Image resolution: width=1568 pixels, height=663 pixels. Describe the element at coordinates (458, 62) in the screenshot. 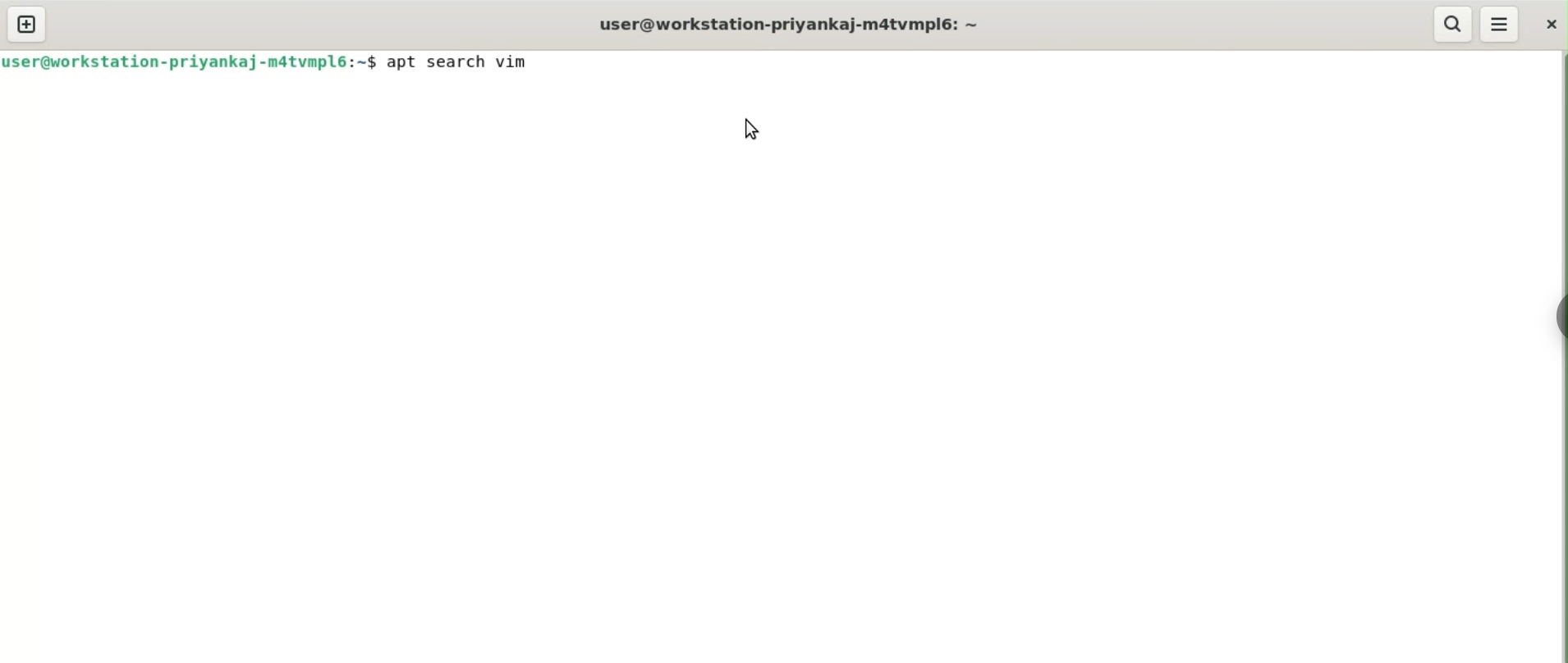

I see `apt search vin` at that location.